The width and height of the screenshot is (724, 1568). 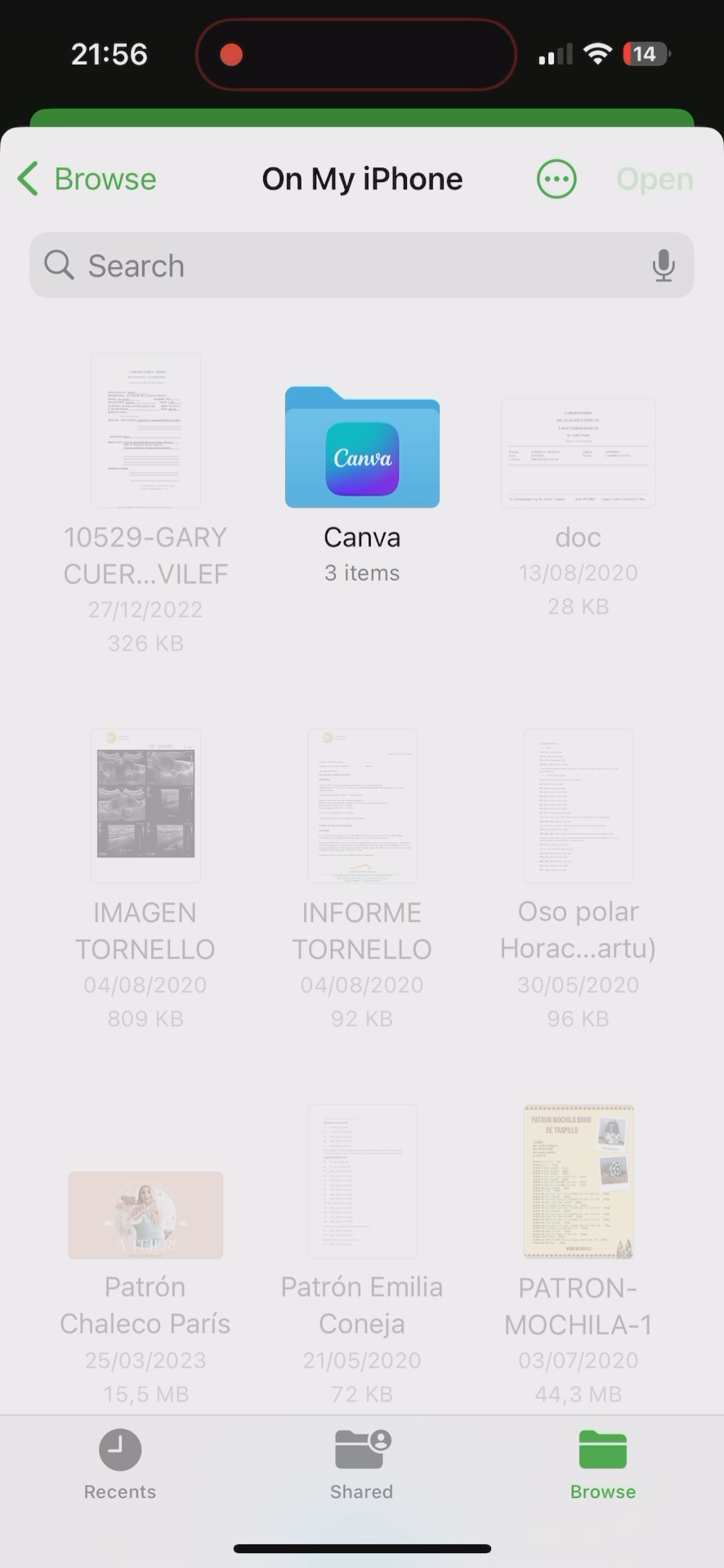 What do you see at coordinates (646, 56) in the screenshot?
I see `battery` at bounding box center [646, 56].